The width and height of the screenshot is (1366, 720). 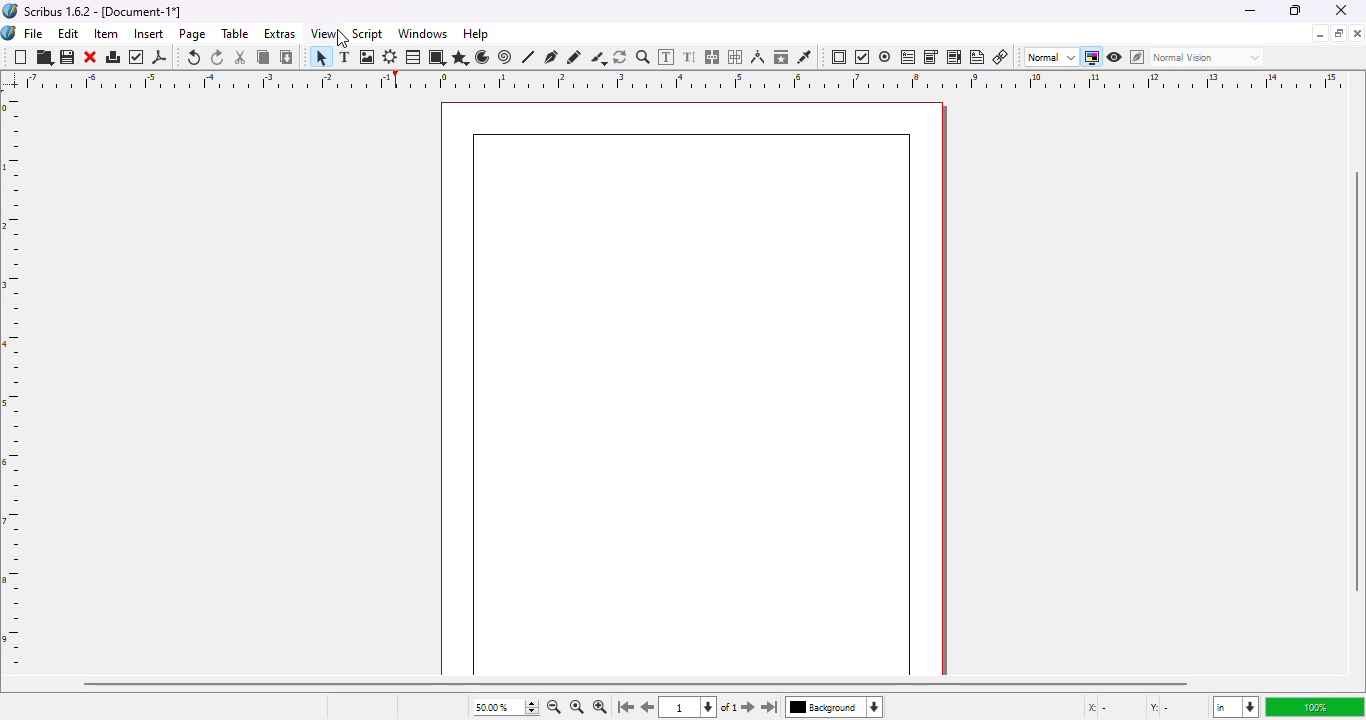 I want to click on bezier curve, so click(x=552, y=56).